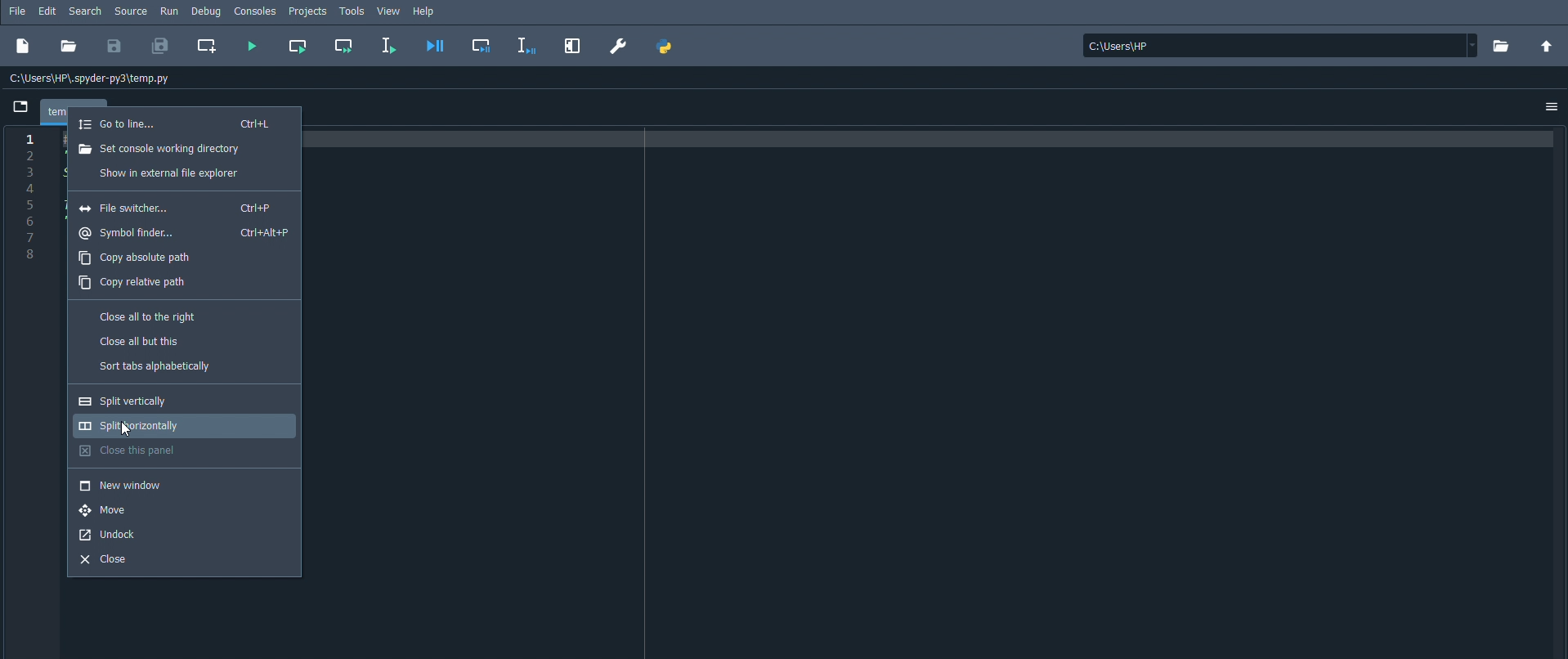 Image resolution: width=1568 pixels, height=659 pixels. I want to click on Run, so click(168, 11).